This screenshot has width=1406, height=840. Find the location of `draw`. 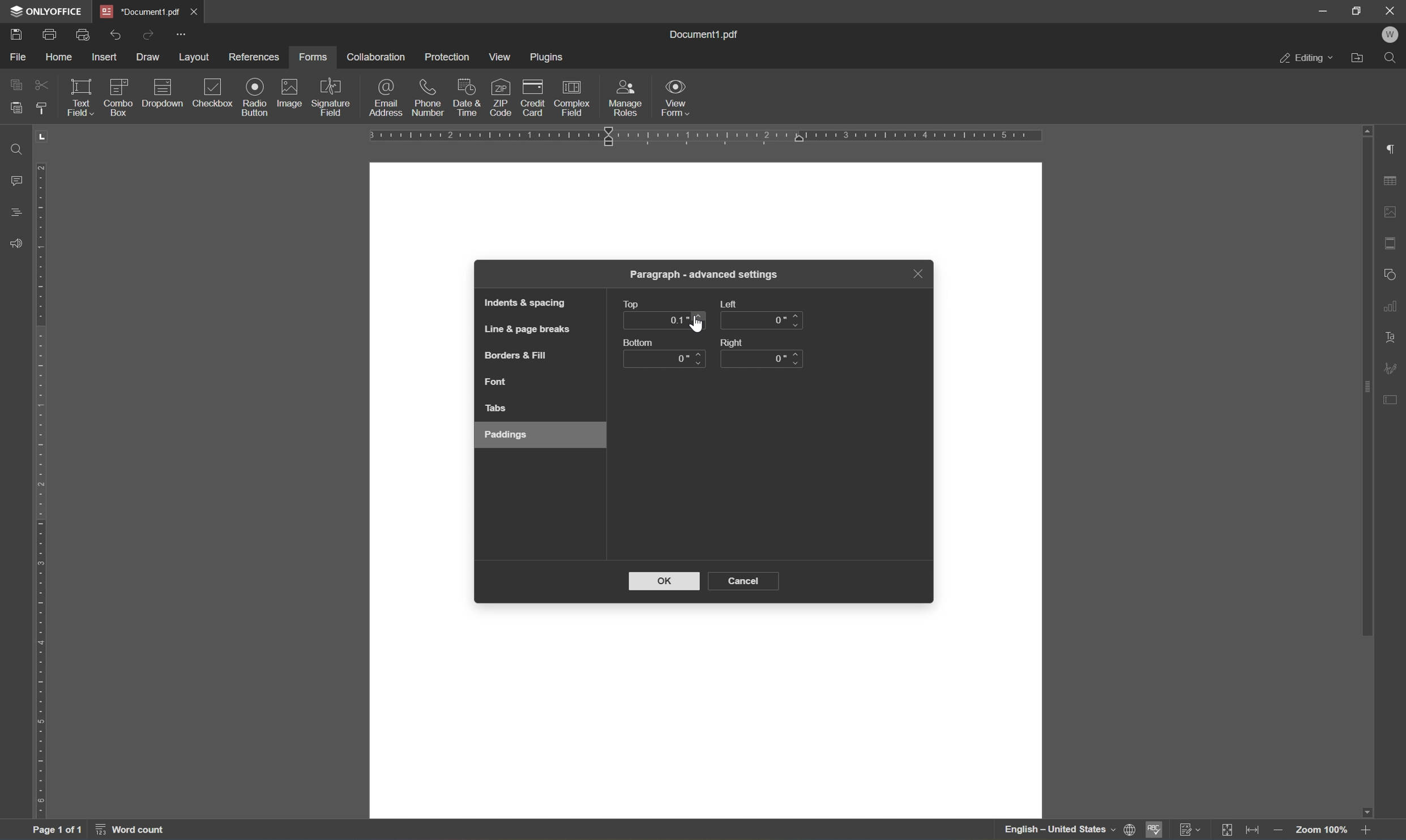

draw is located at coordinates (149, 57).